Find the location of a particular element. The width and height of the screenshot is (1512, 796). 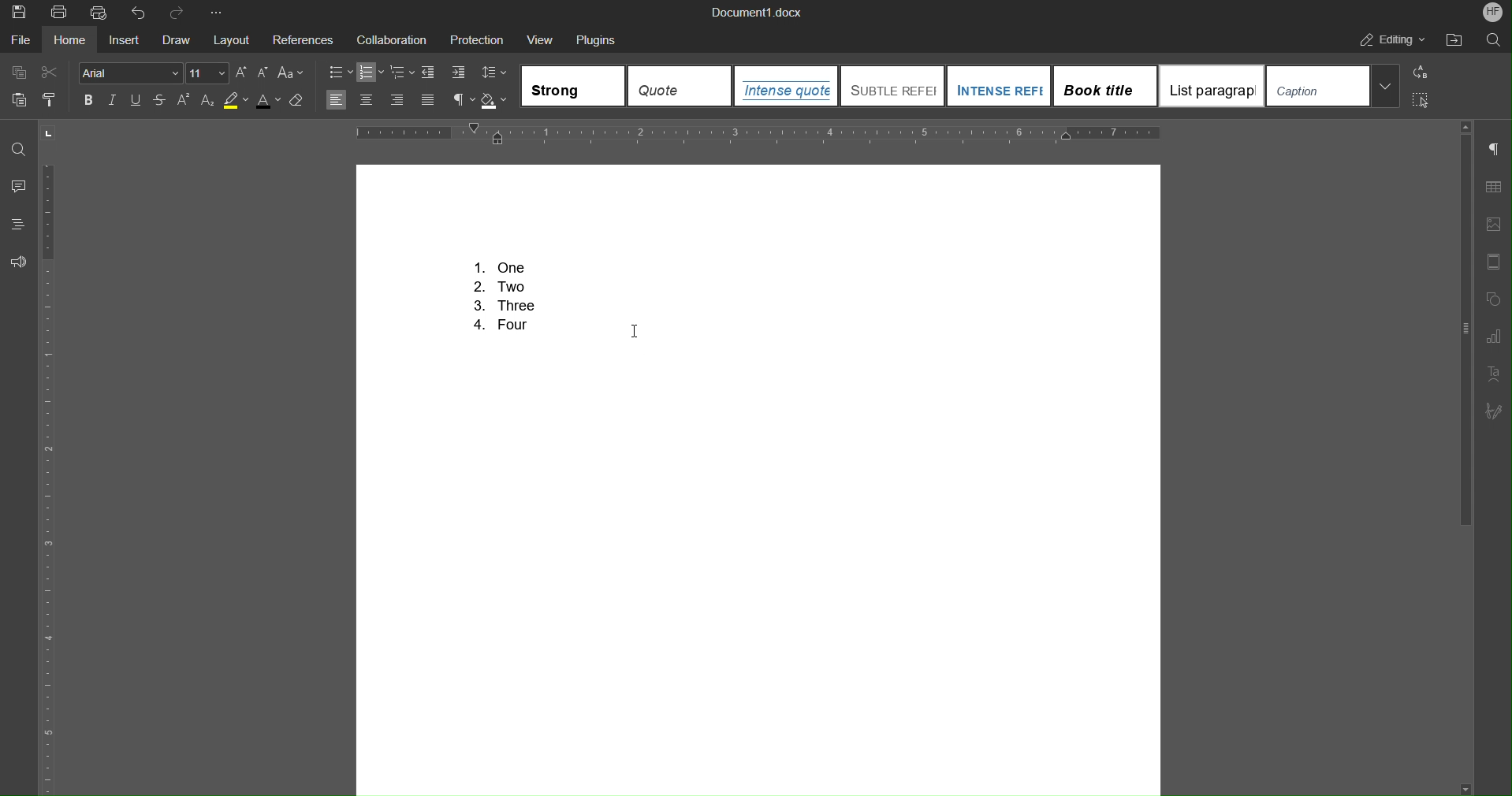

Strikethrough is located at coordinates (162, 101).